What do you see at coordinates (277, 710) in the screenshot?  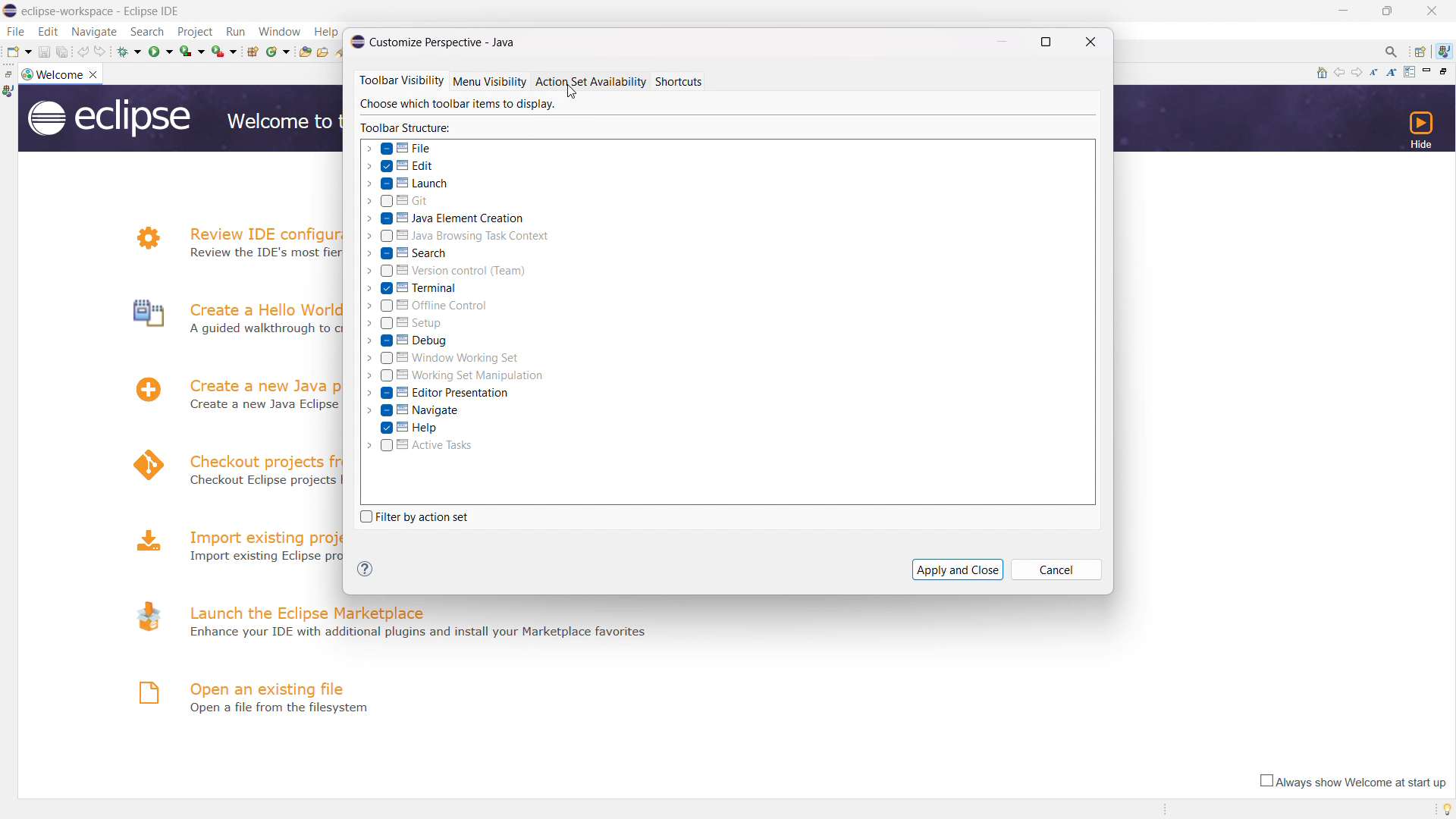 I see `Open a file from filesystem` at bounding box center [277, 710].